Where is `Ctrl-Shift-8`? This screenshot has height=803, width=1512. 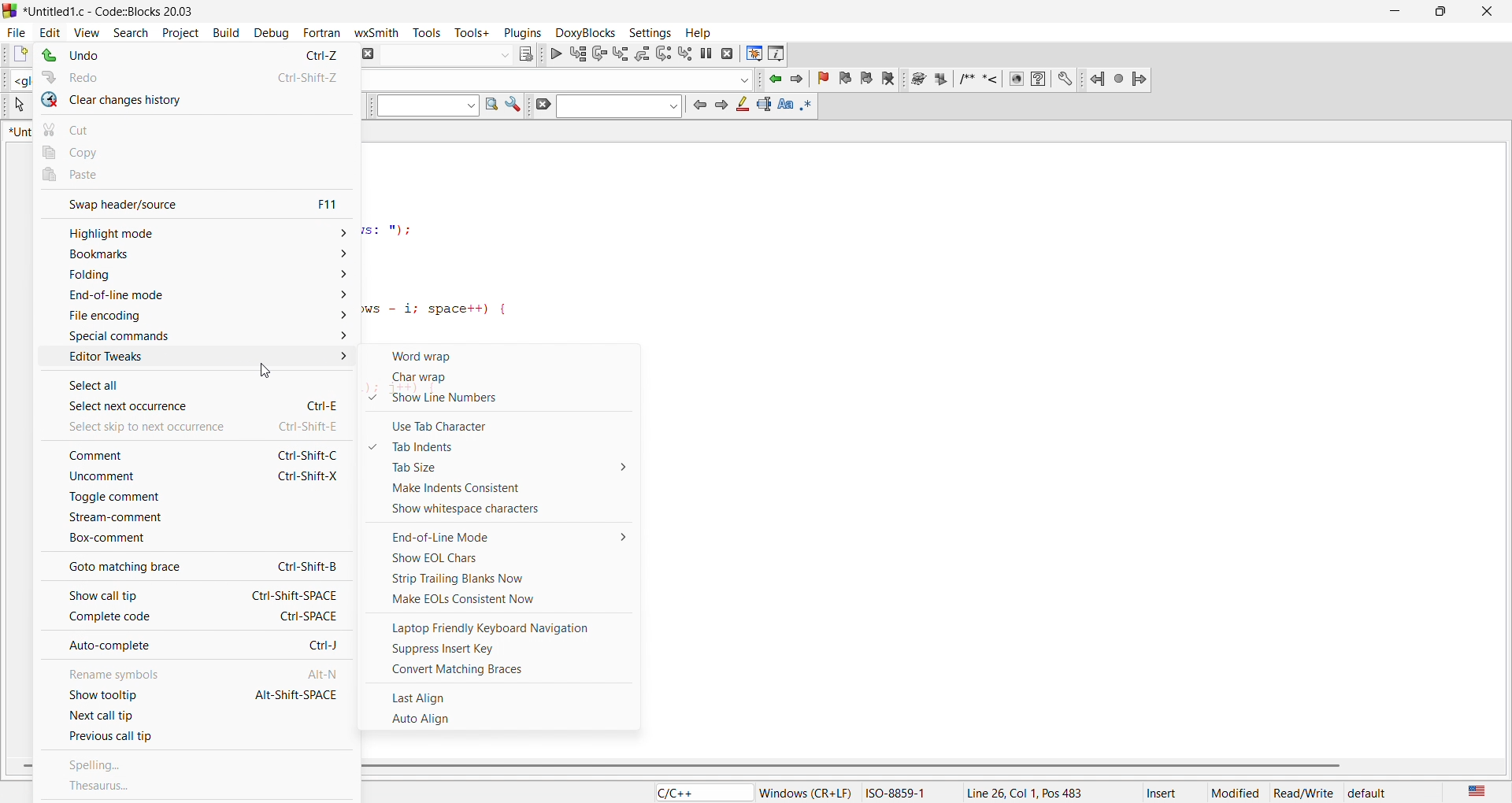 Ctrl-Shift-8 is located at coordinates (300, 566).